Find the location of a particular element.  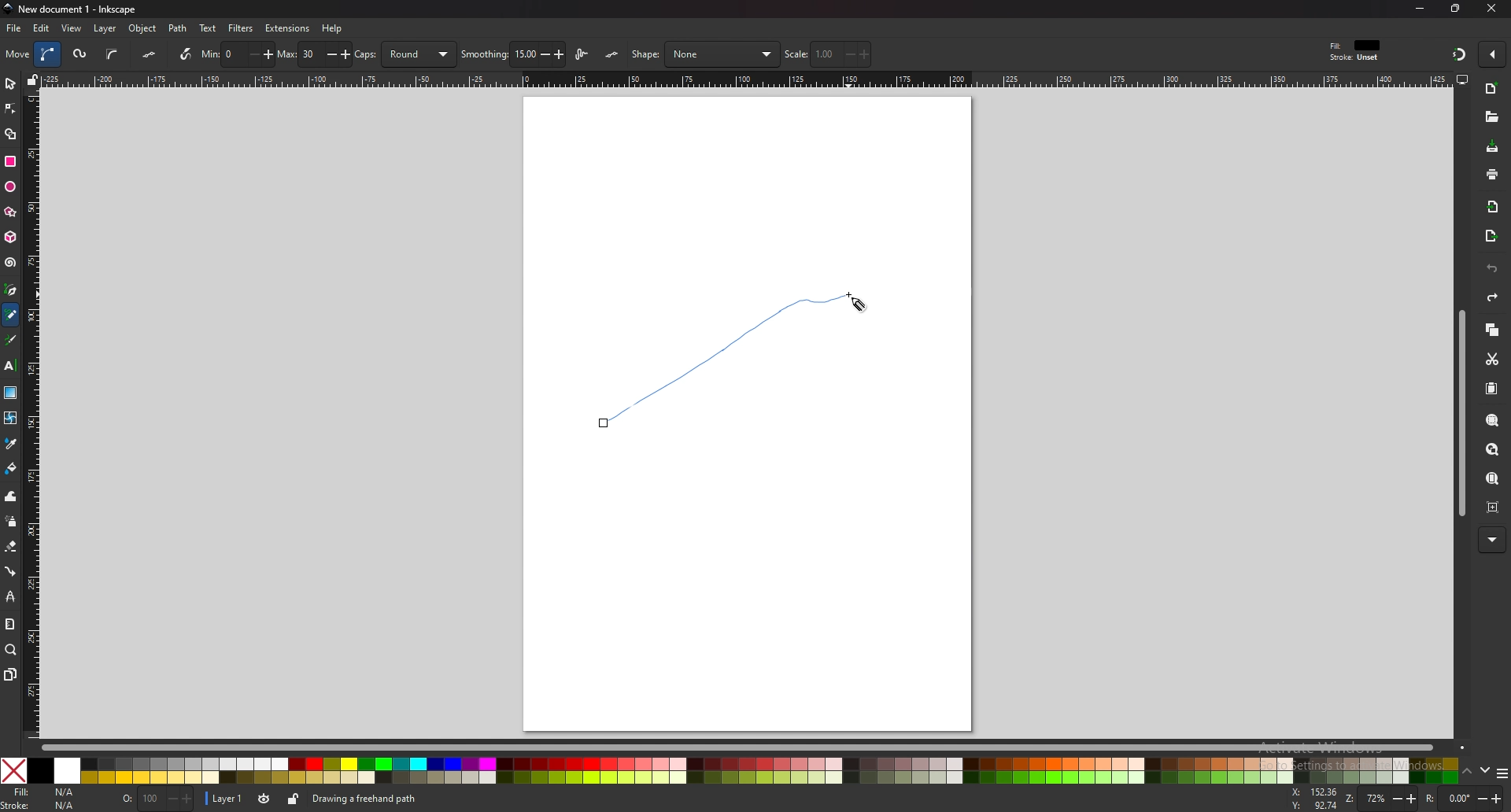

export is located at coordinates (1491, 238).